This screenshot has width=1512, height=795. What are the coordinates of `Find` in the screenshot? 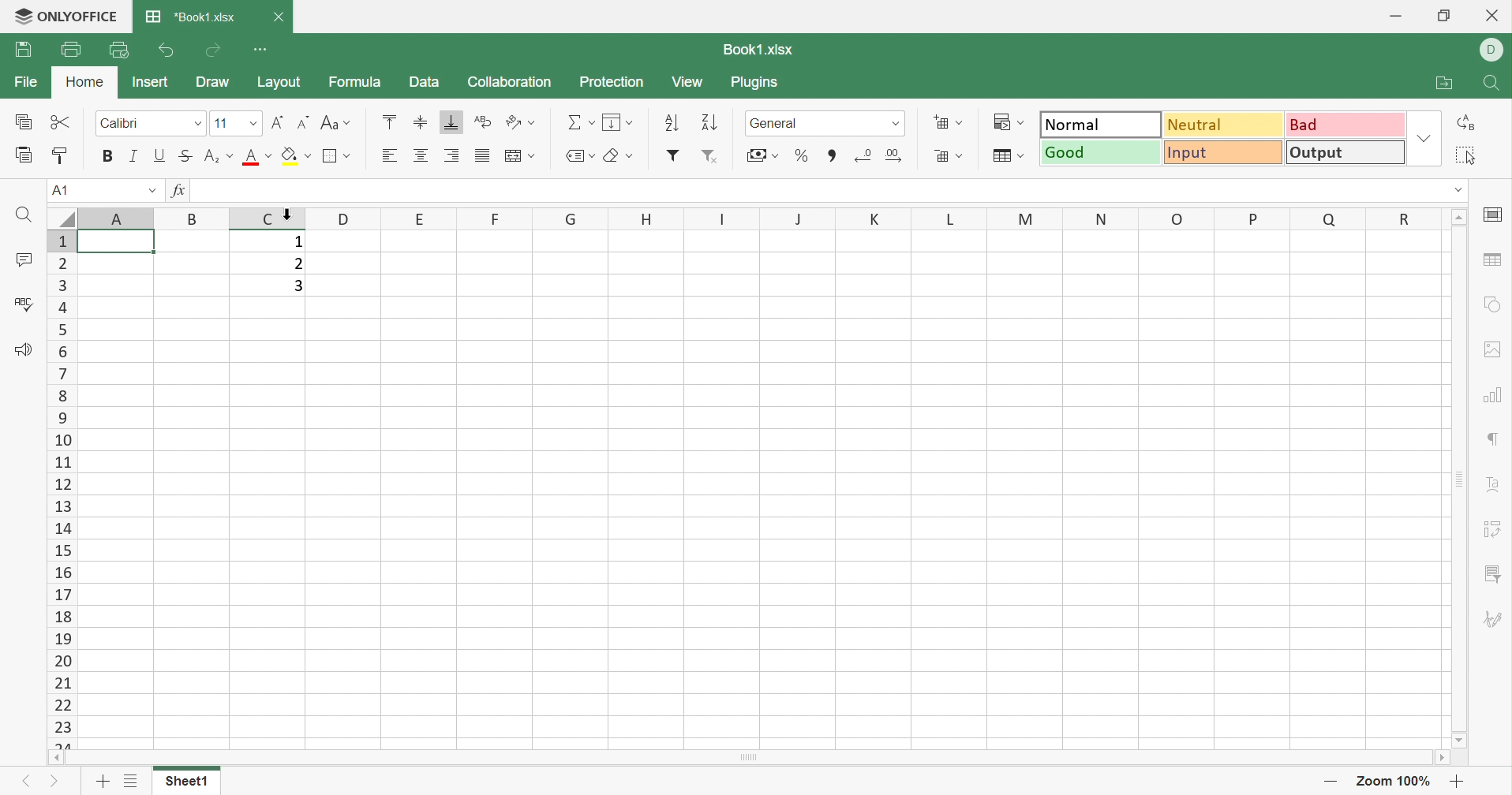 It's located at (24, 214).